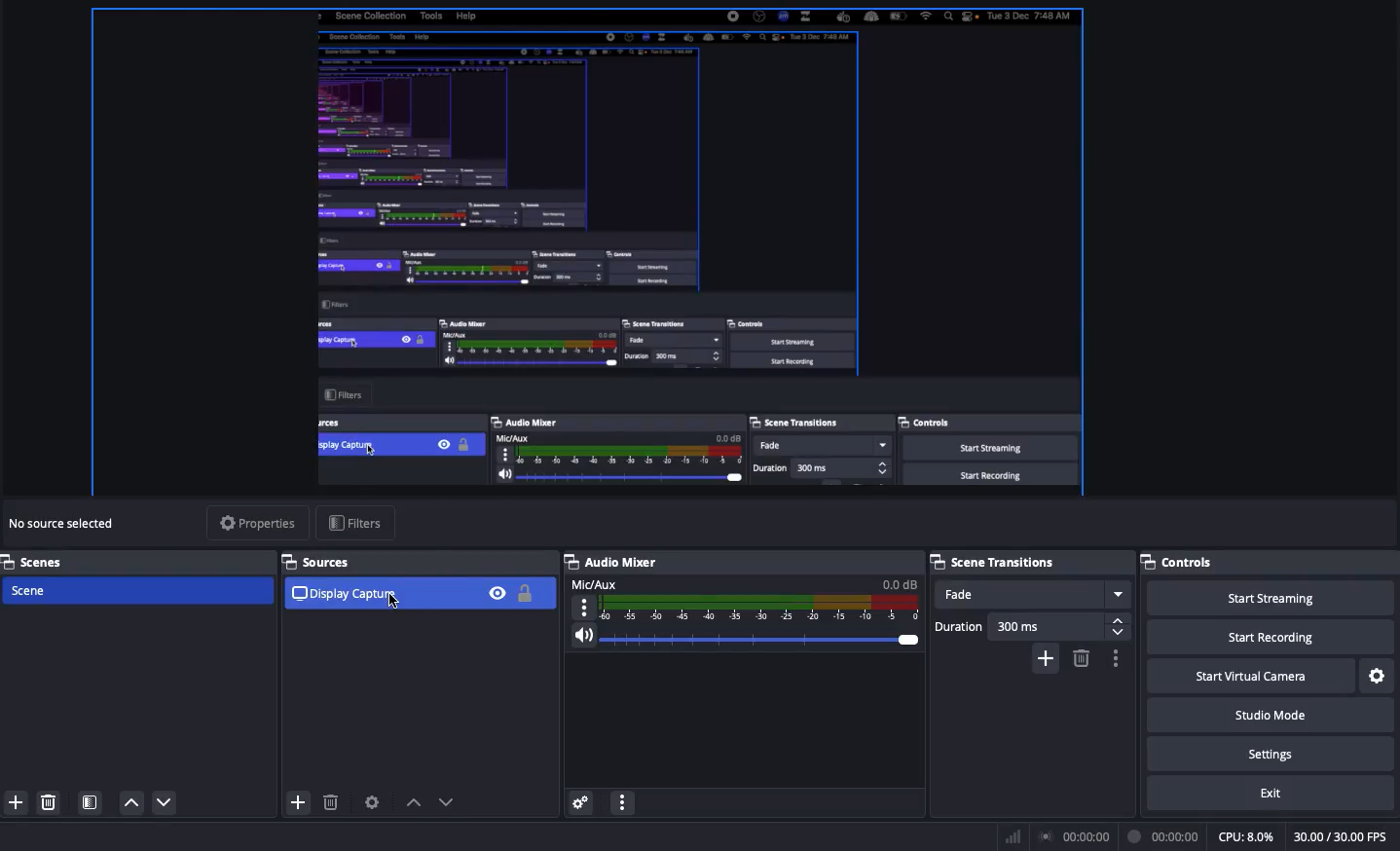 This screenshot has height=851, width=1400. I want to click on Start virtual camera, so click(1251, 677).